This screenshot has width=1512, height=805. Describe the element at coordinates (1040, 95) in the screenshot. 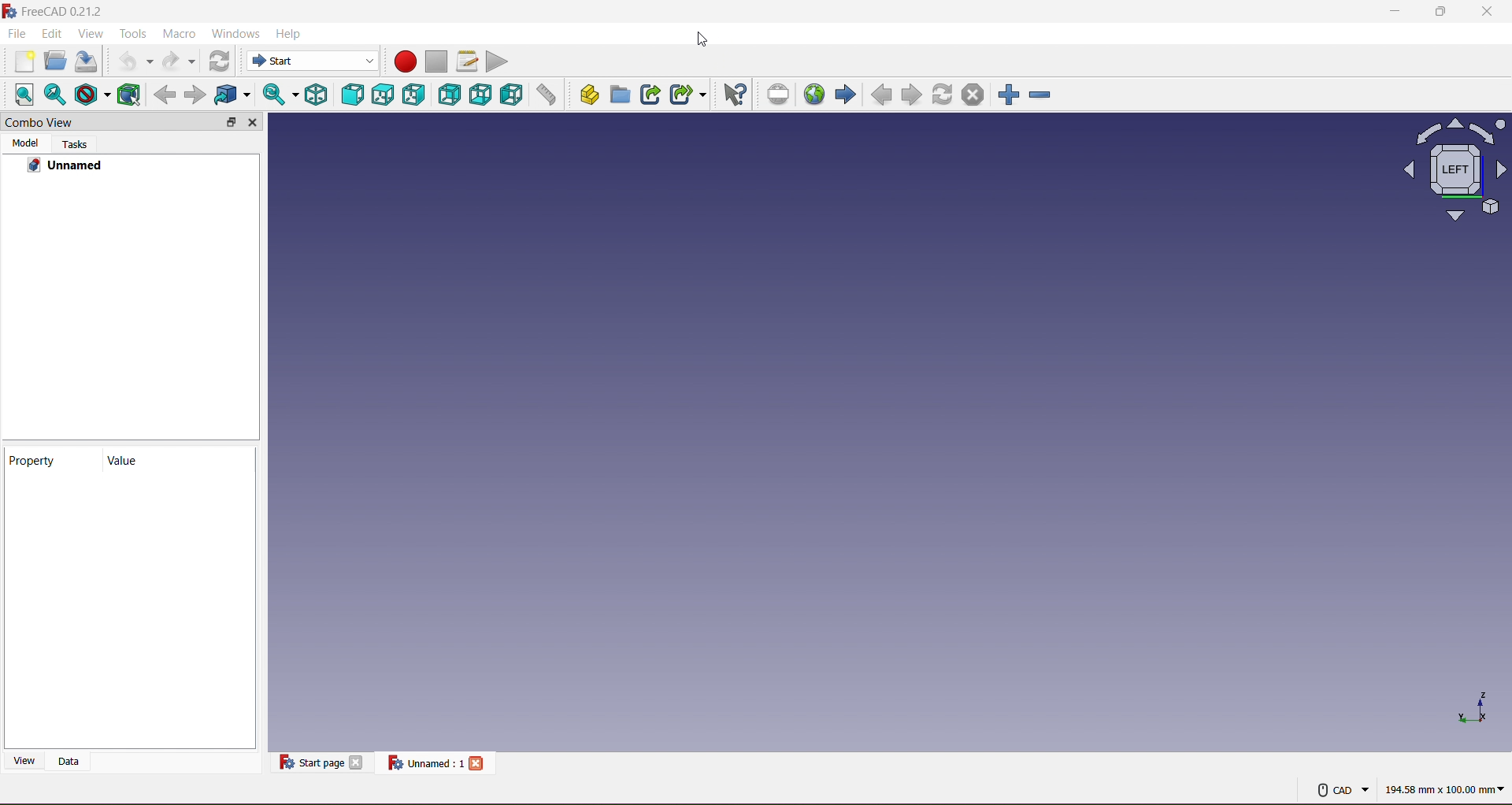

I see `Zoom out` at that location.